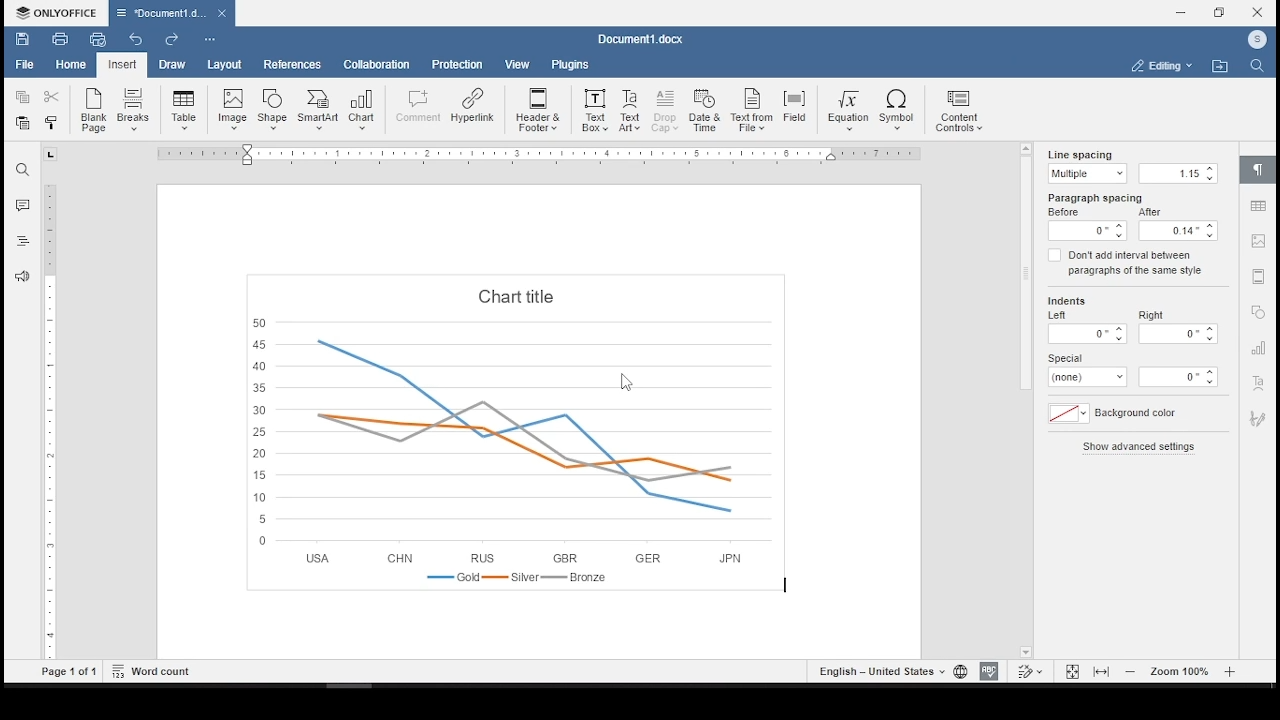 The image size is (1280, 720). Describe the element at coordinates (455, 65) in the screenshot. I see `protection` at that location.